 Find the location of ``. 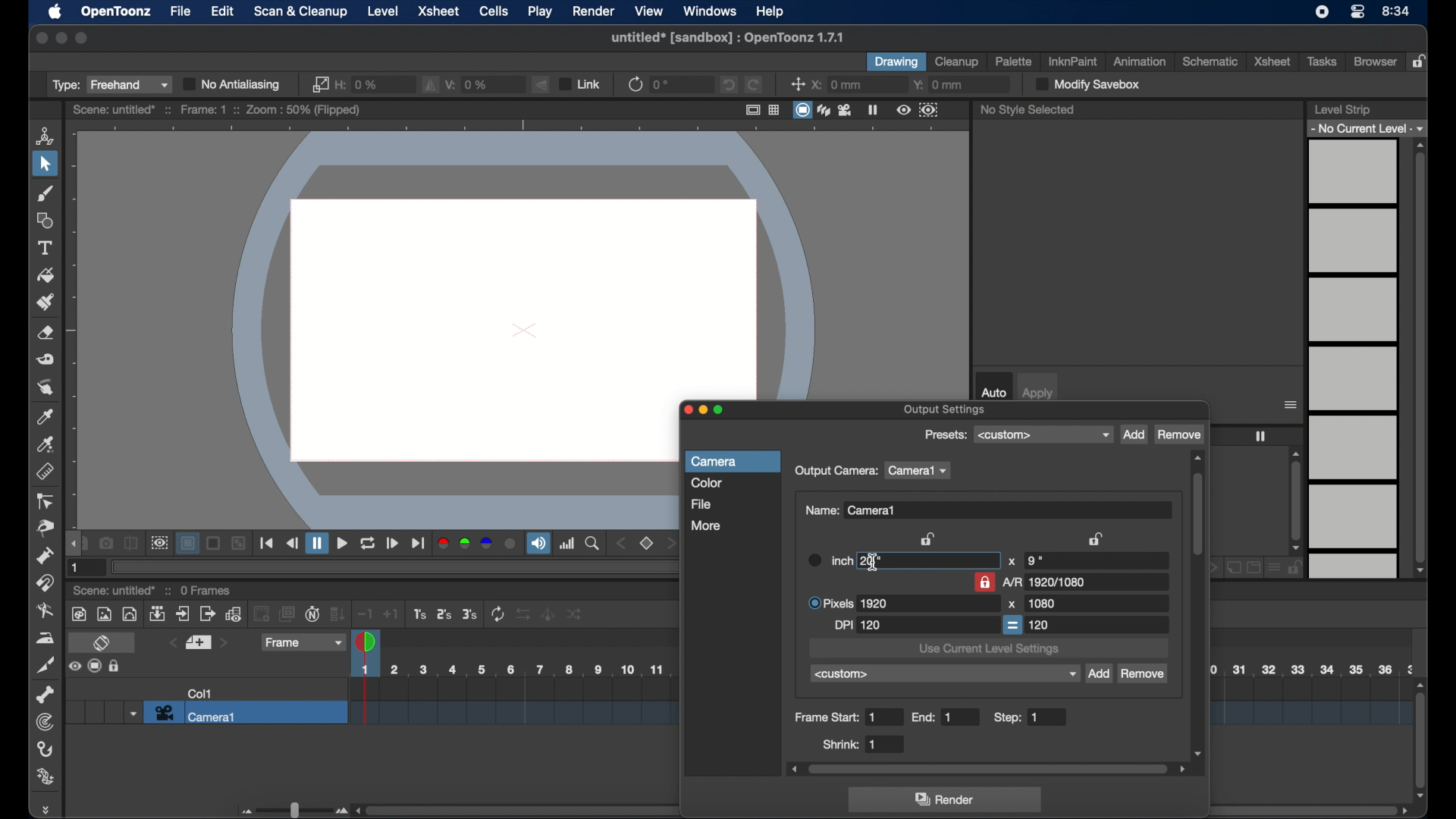

 is located at coordinates (945, 435).